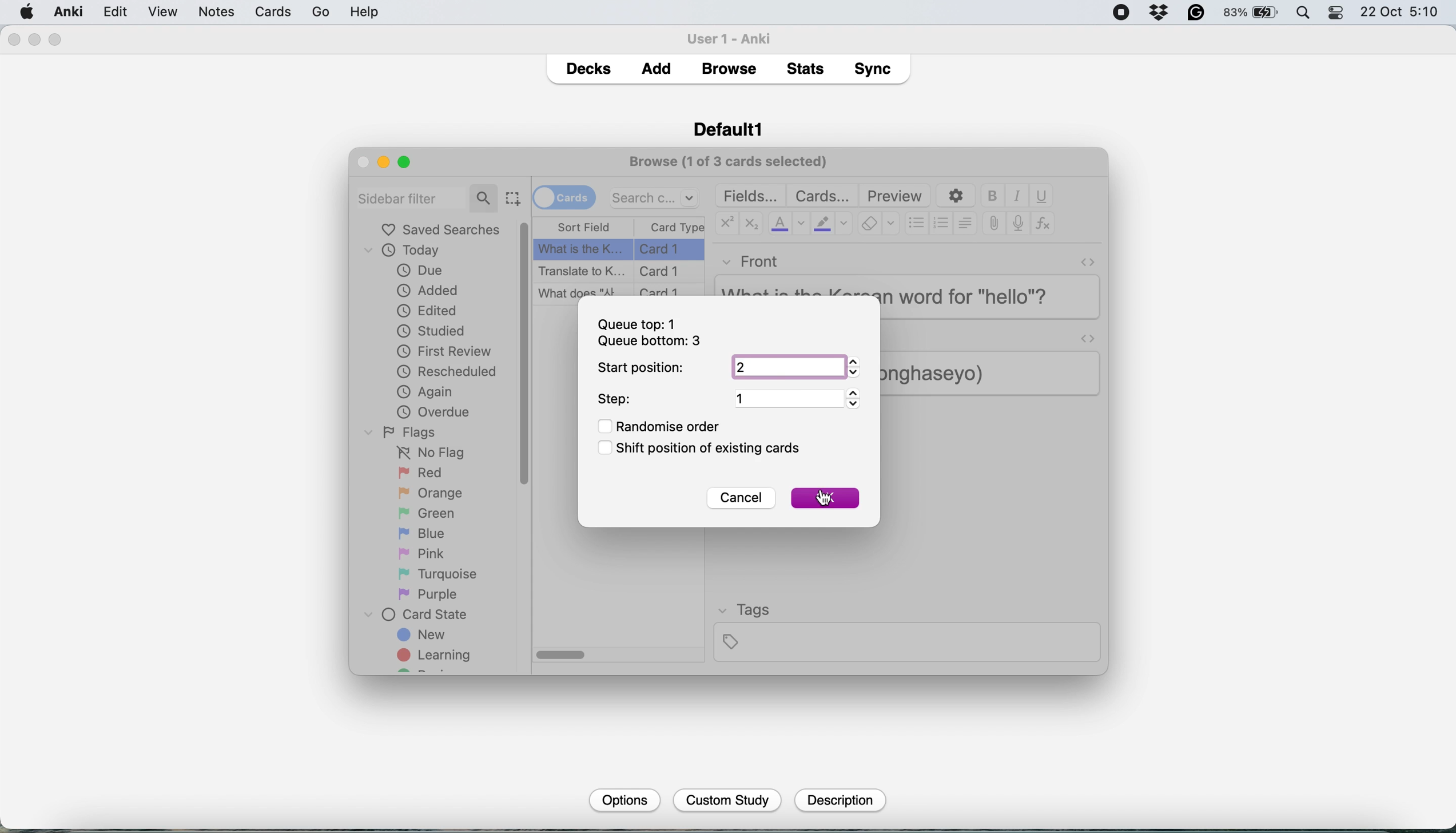 This screenshot has width=1456, height=833. I want to click on settings, so click(954, 196).